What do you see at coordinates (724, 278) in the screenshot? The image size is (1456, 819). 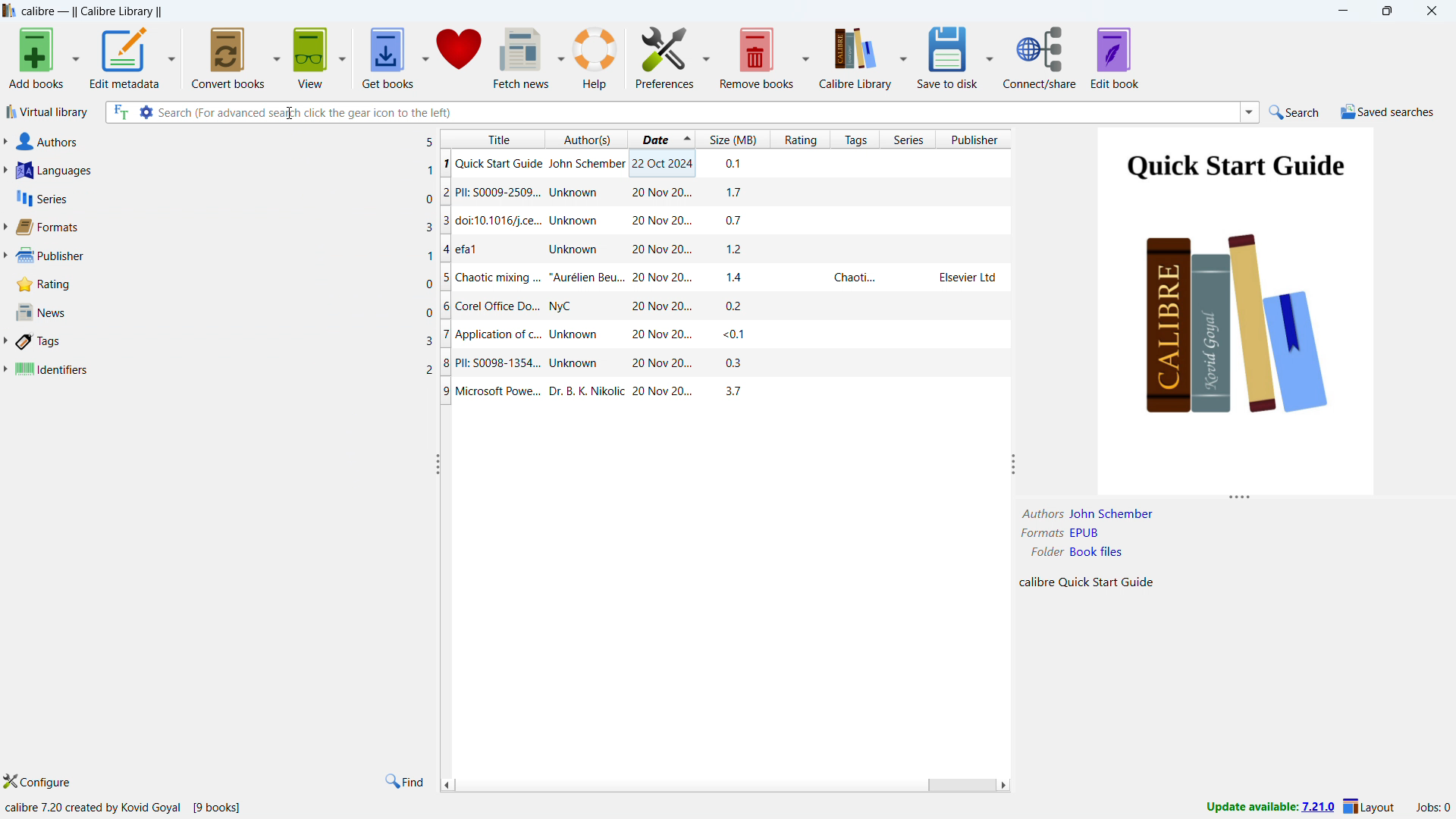 I see `Chaotic mixing ...` at bounding box center [724, 278].